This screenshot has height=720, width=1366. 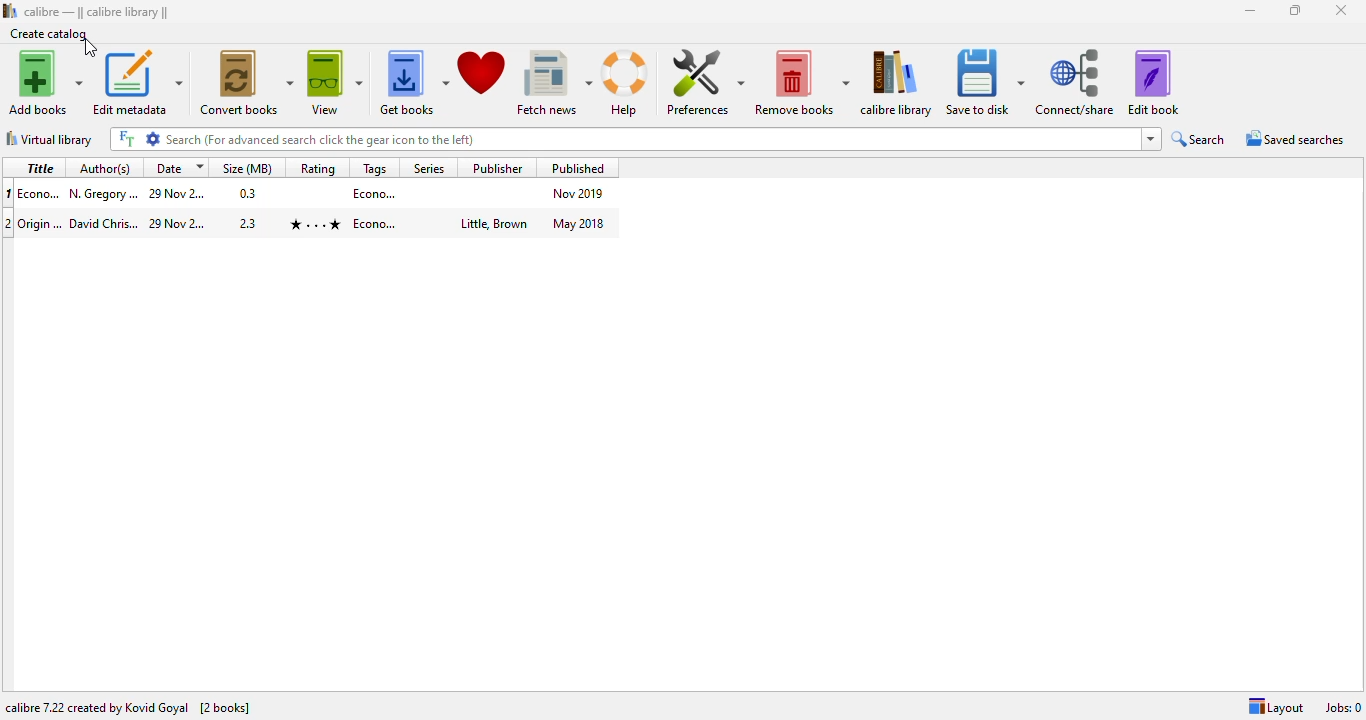 I want to click on edit metadata, so click(x=137, y=83).